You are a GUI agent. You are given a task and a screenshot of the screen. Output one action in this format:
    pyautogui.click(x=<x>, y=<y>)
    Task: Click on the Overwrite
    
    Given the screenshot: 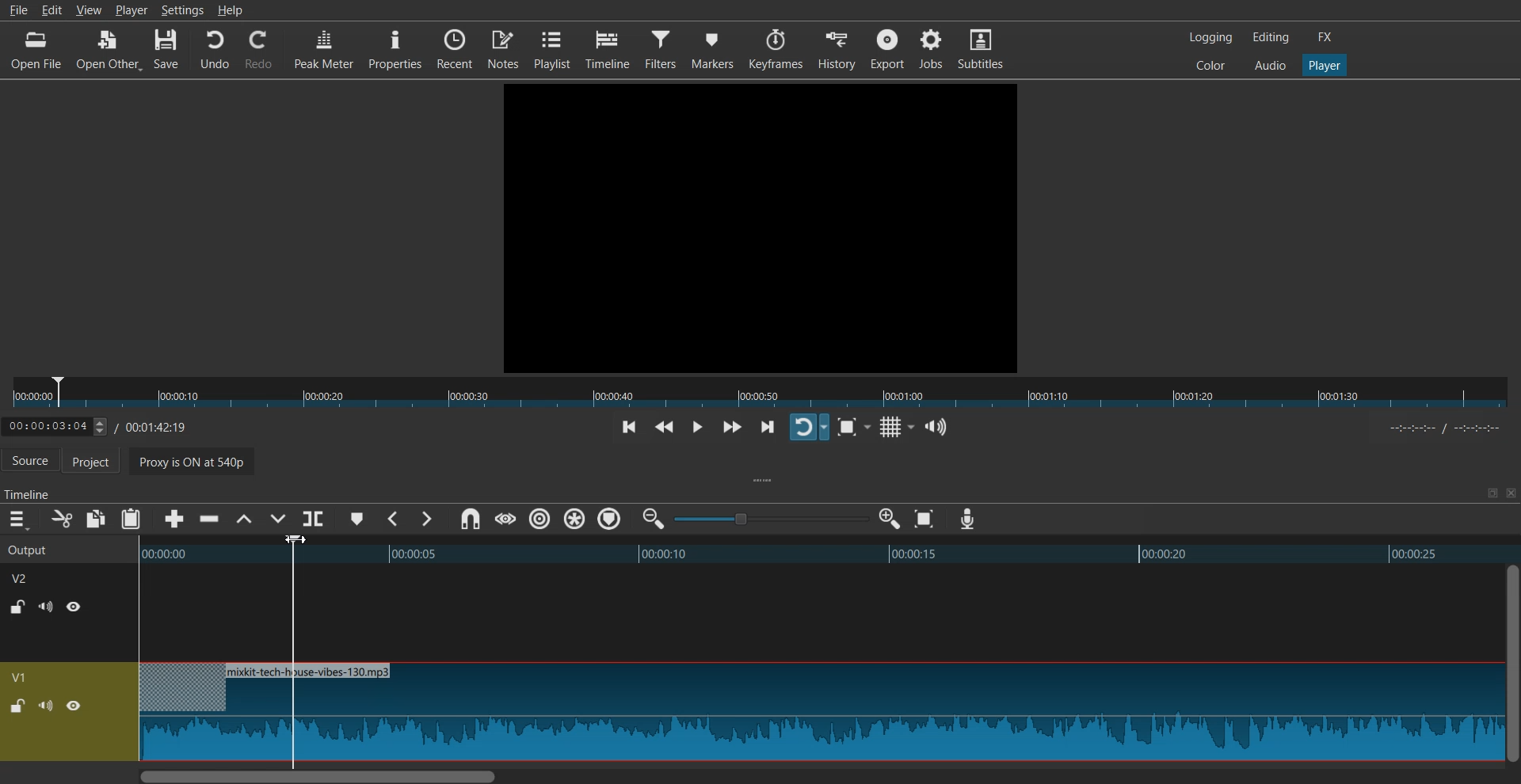 What is the action you would take?
    pyautogui.click(x=276, y=520)
    